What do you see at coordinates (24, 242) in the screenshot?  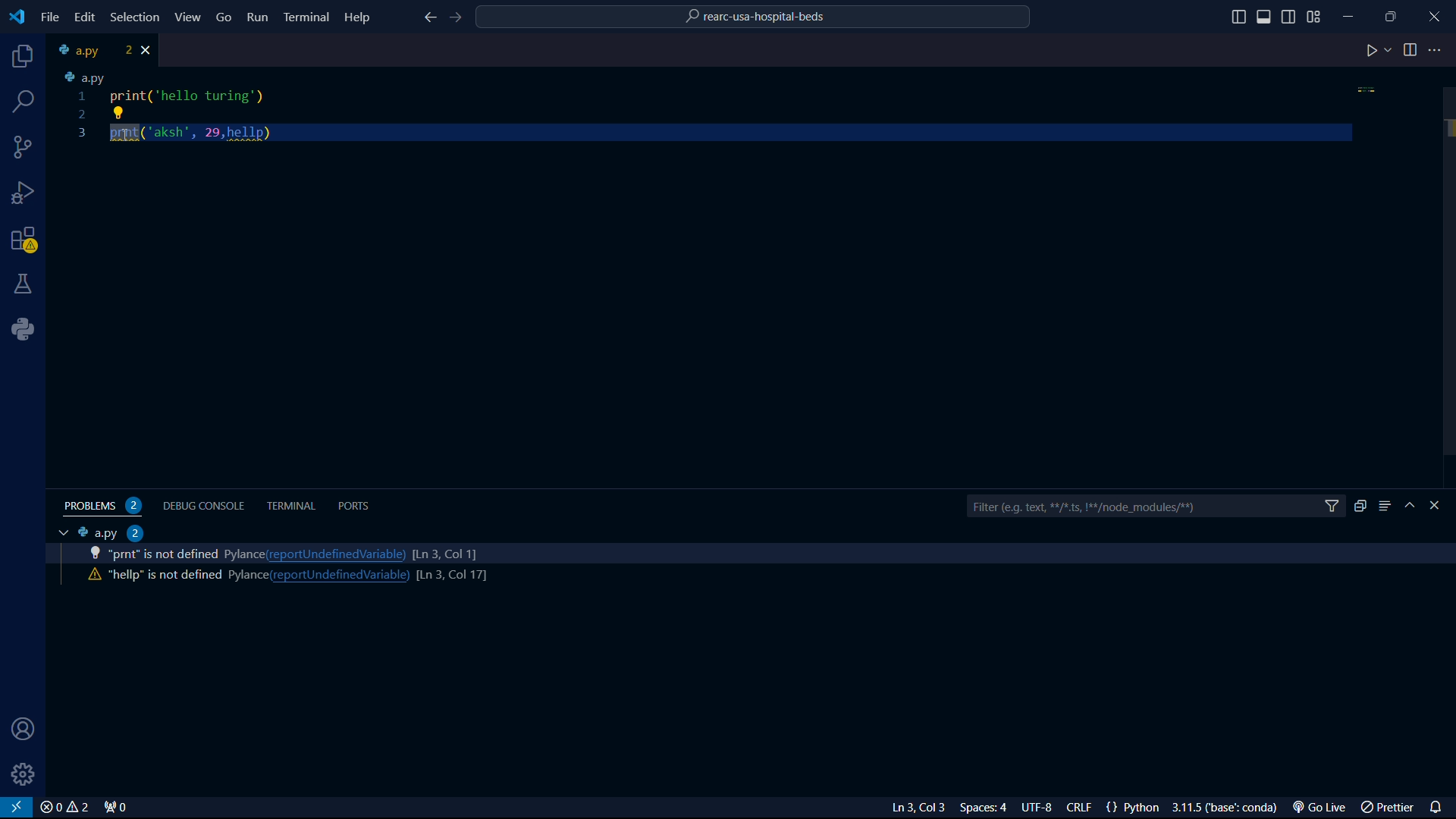 I see `warning` at bounding box center [24, 242].